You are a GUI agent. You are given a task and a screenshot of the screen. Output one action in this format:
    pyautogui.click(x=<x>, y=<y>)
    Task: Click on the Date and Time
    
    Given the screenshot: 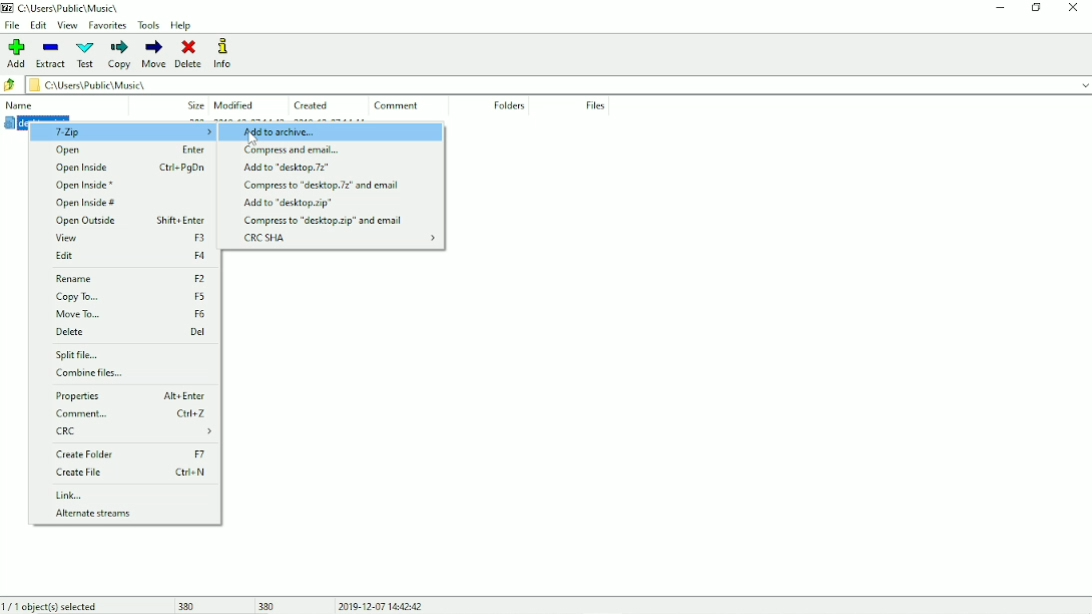 What is the action you would take?
    pyautogui.click(x=382, y=605)
    